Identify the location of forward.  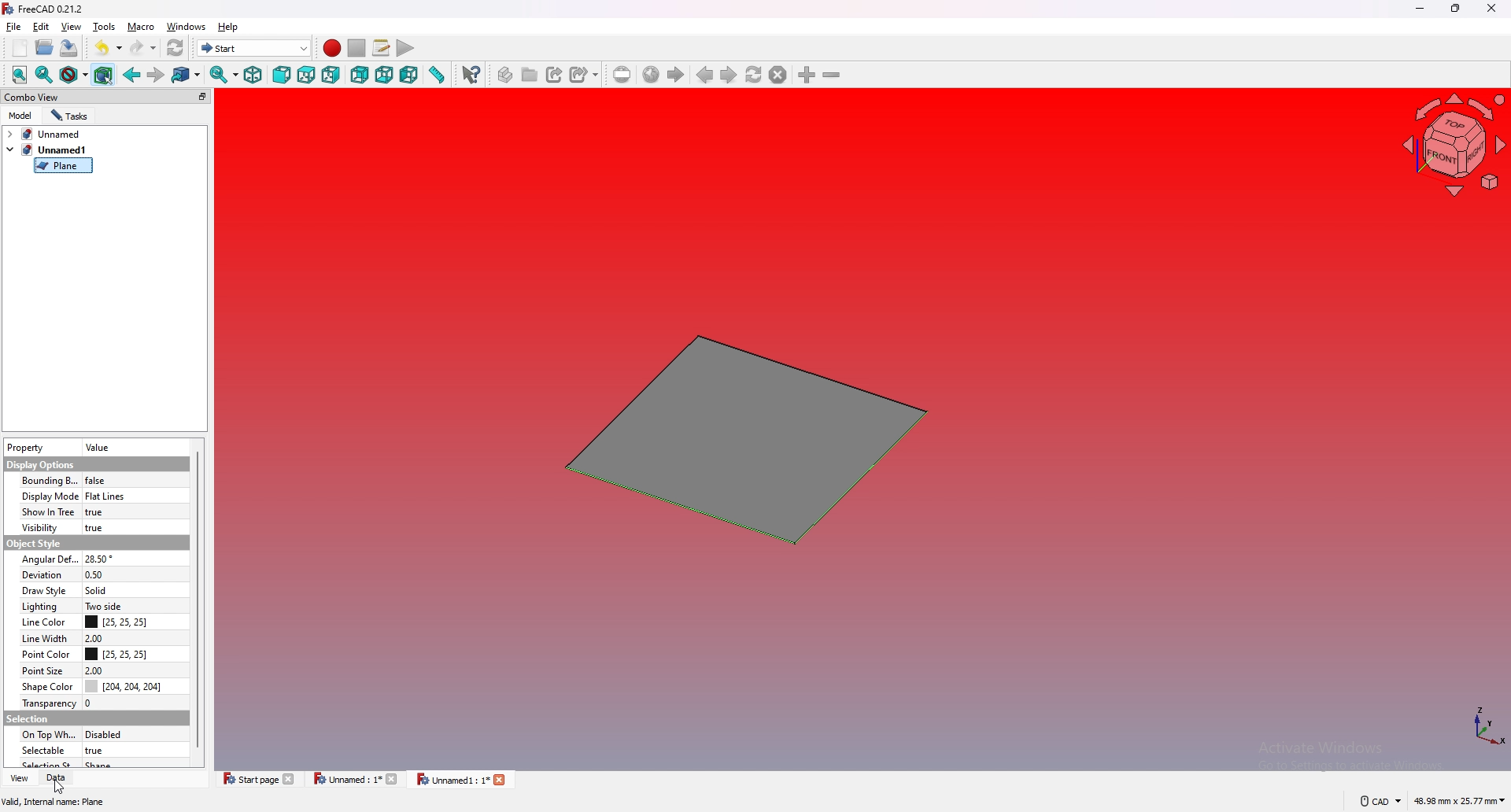
(156, 76).